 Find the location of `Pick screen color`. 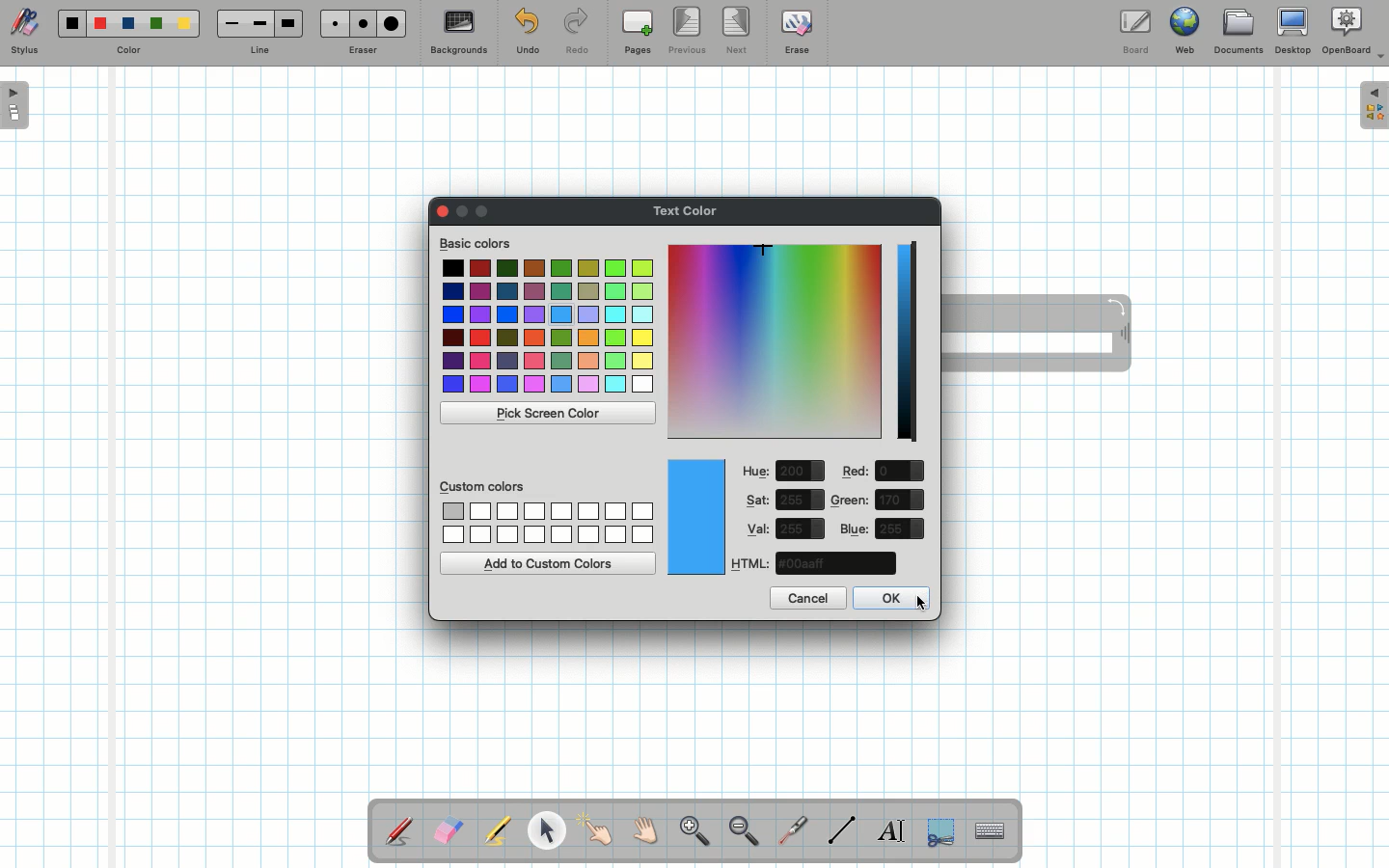

Pick screen color is located at coordinates (549, 414).